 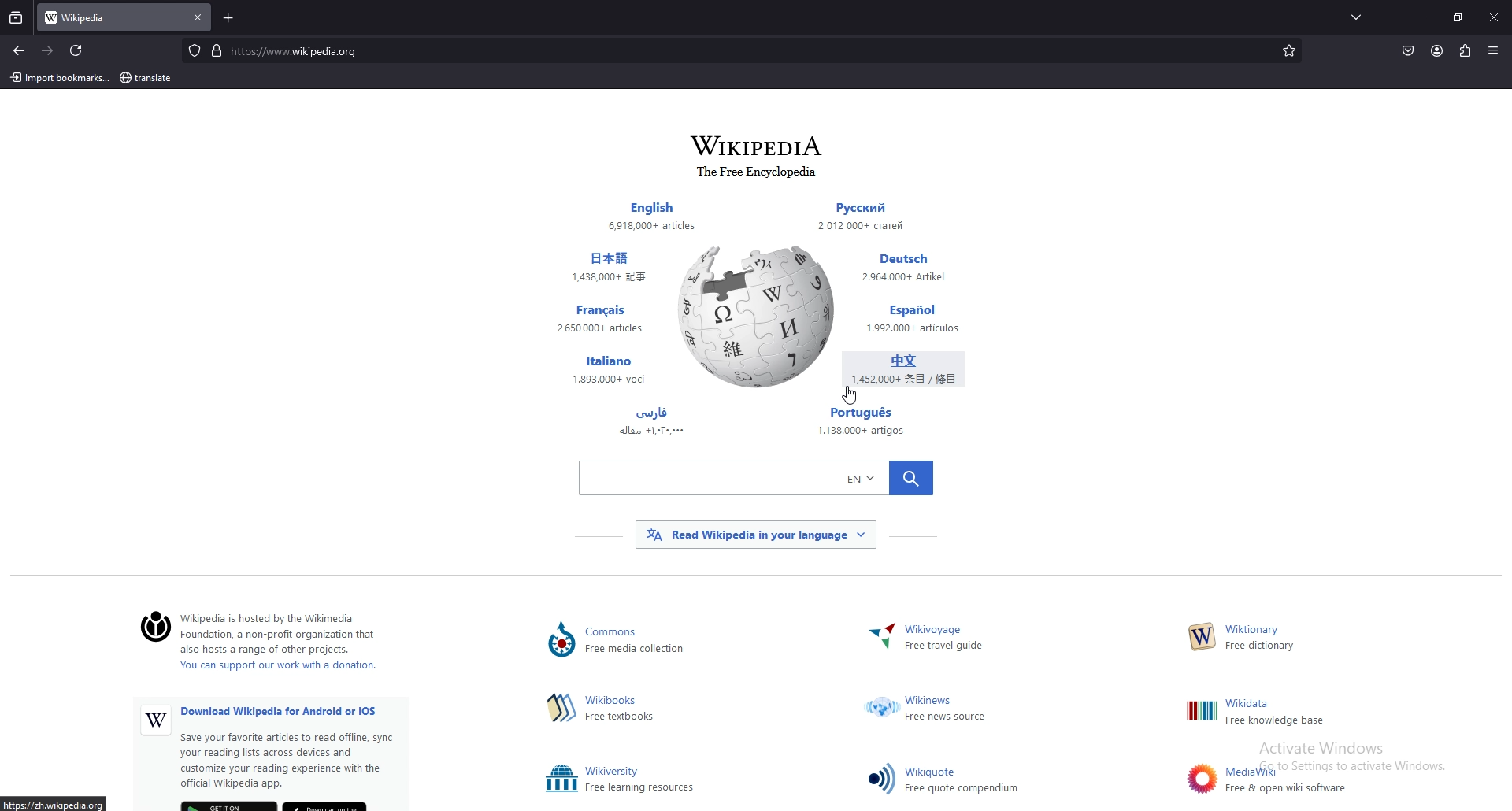 What do you see at coordinates (761, 146) in the screenshot?
I see `WIKIPEDIA` at bounding box center [761, 146].